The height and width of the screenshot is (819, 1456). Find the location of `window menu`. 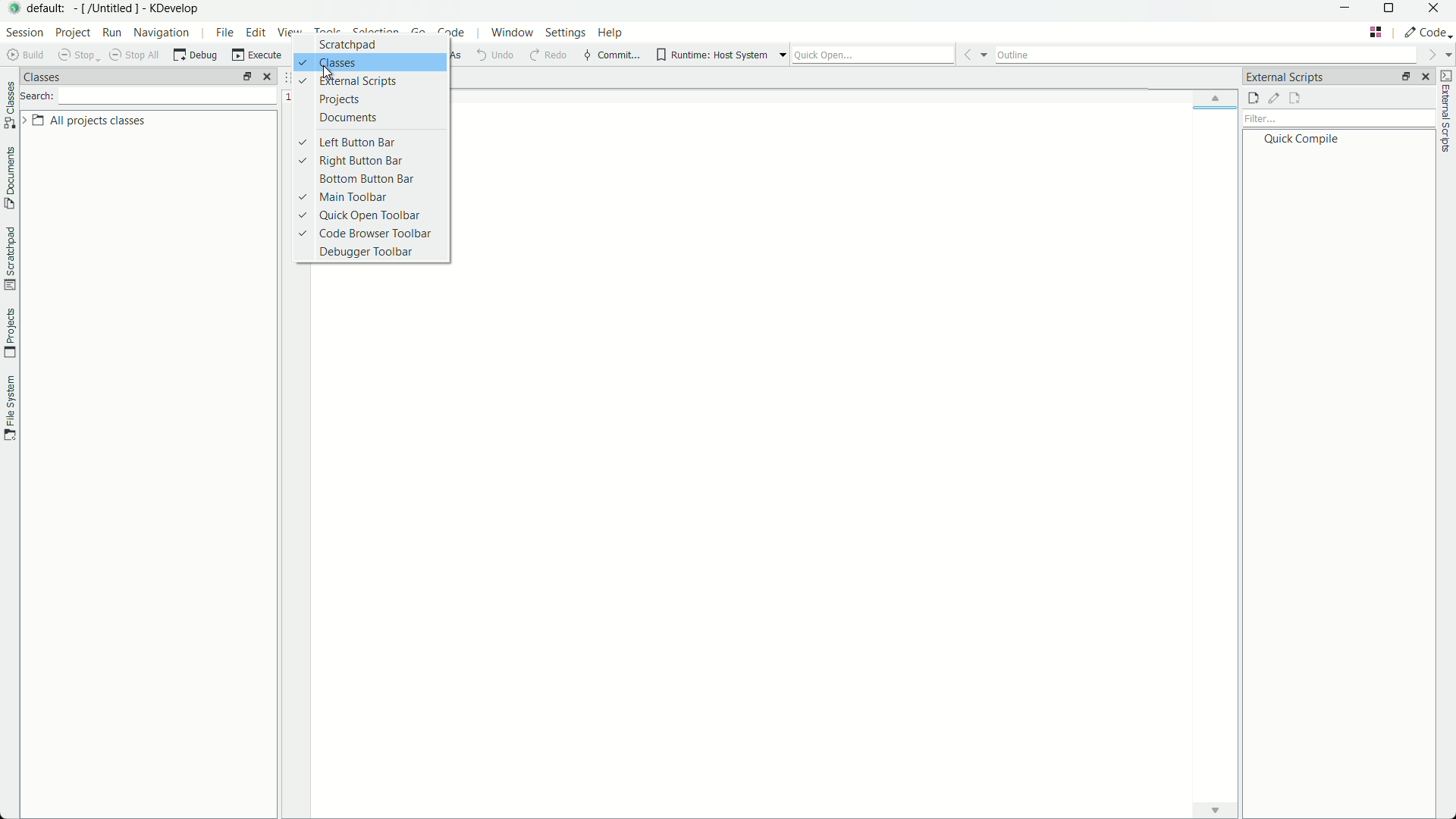

window menu is located at coordinates (512, 33).